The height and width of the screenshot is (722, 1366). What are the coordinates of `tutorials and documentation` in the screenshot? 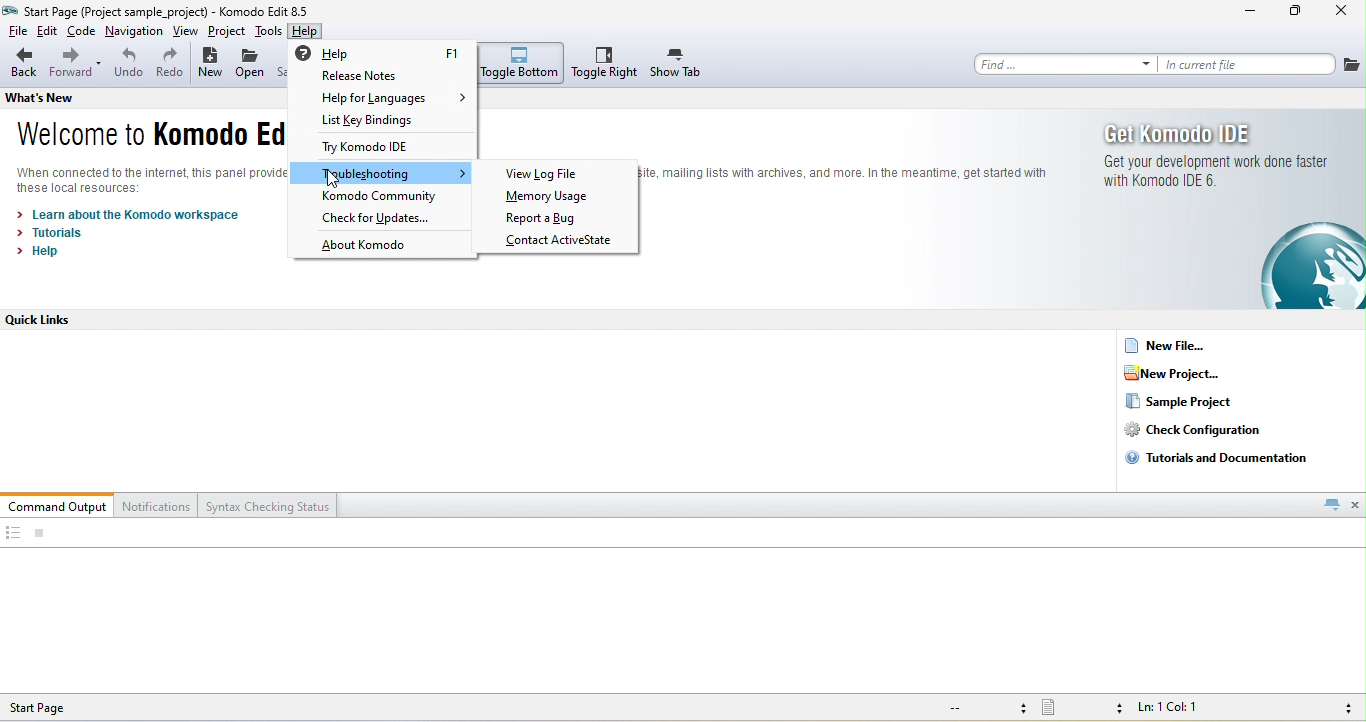 It's located at (1222, 457).